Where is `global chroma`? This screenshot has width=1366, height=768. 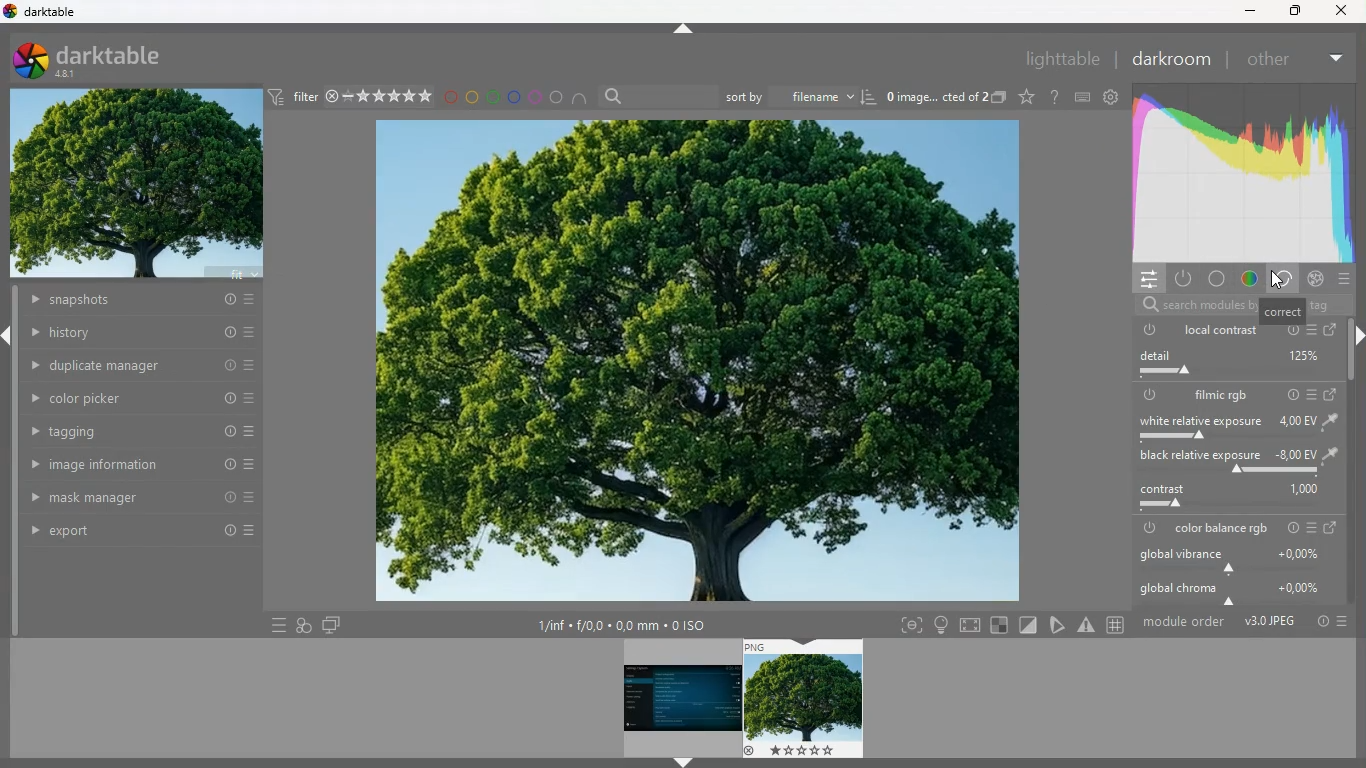
global chroma is located at coordinates (1232, 592).